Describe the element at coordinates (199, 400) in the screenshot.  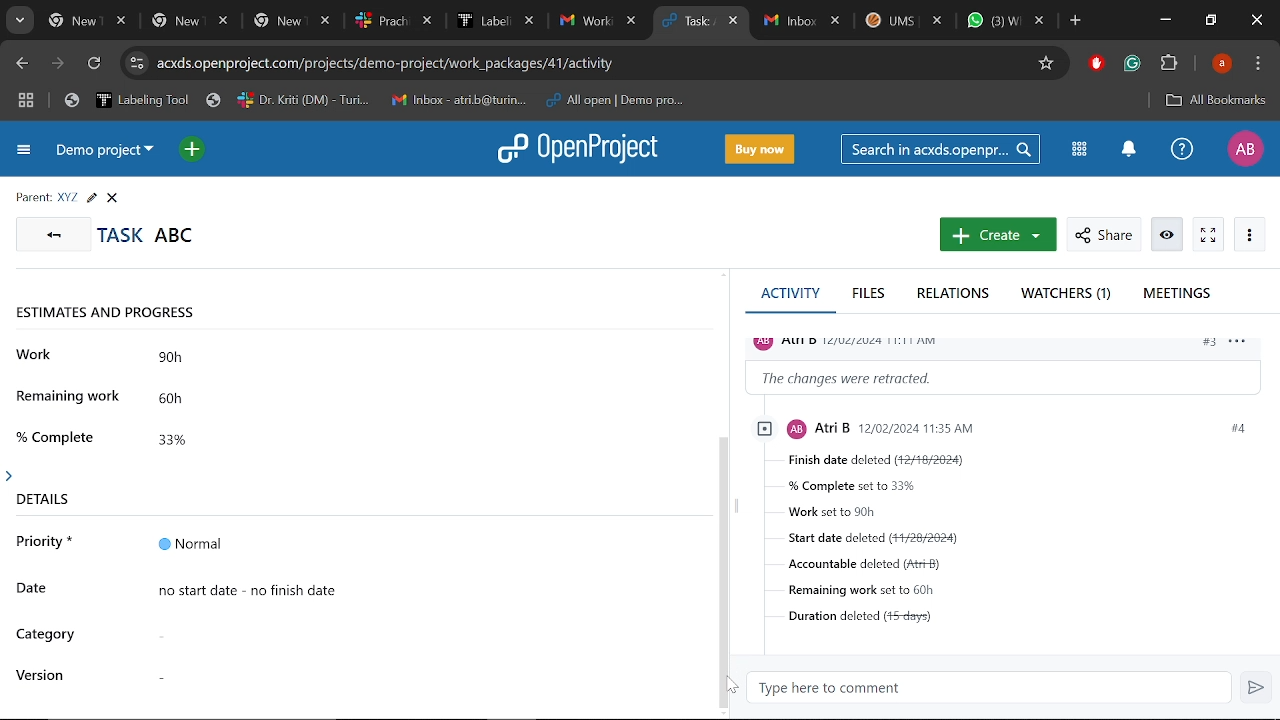
I see `60h` at that location.